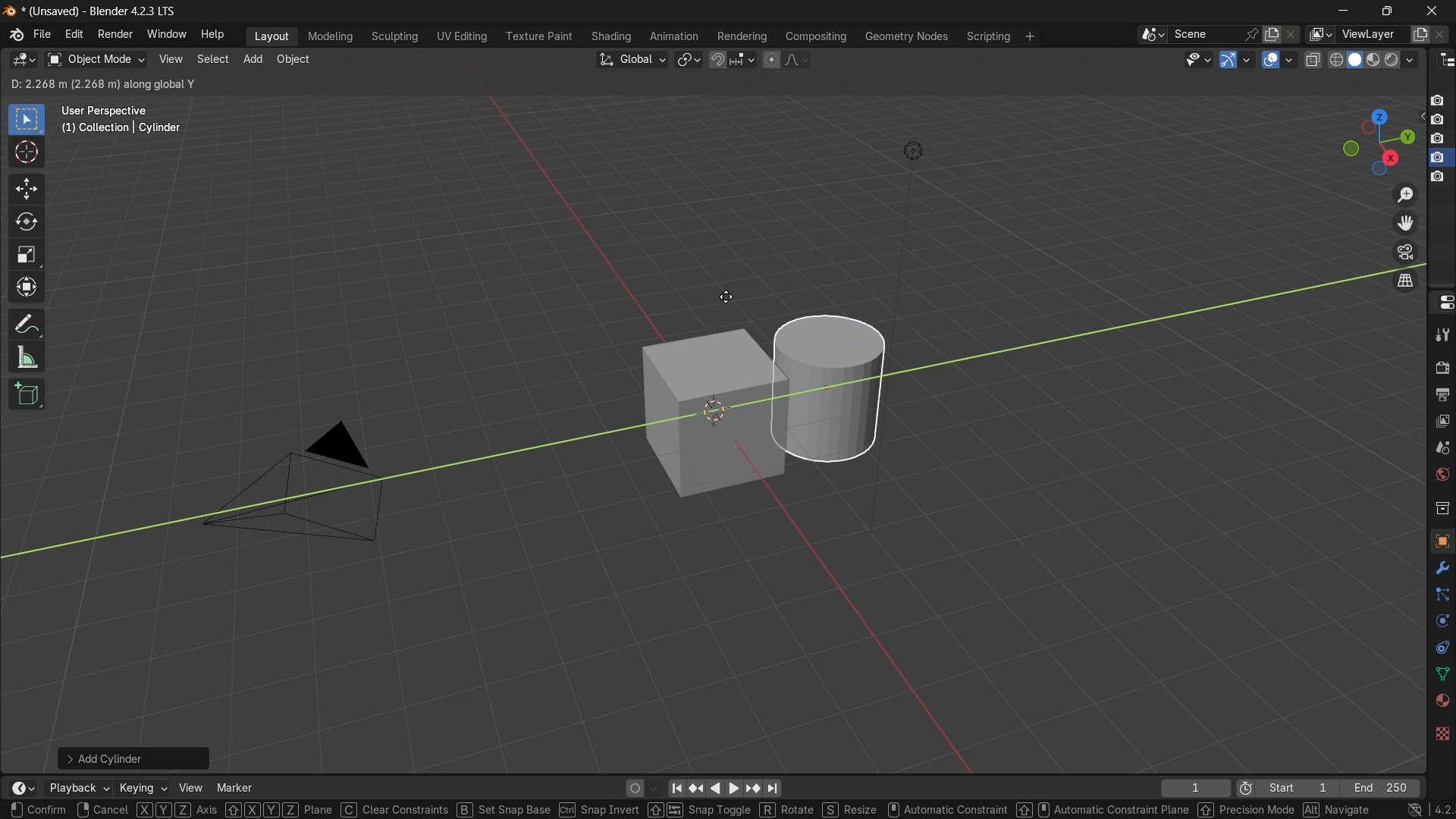 The height and width of the screenshot is (819, 1456). I want to click on object menu, so click(295, 60).